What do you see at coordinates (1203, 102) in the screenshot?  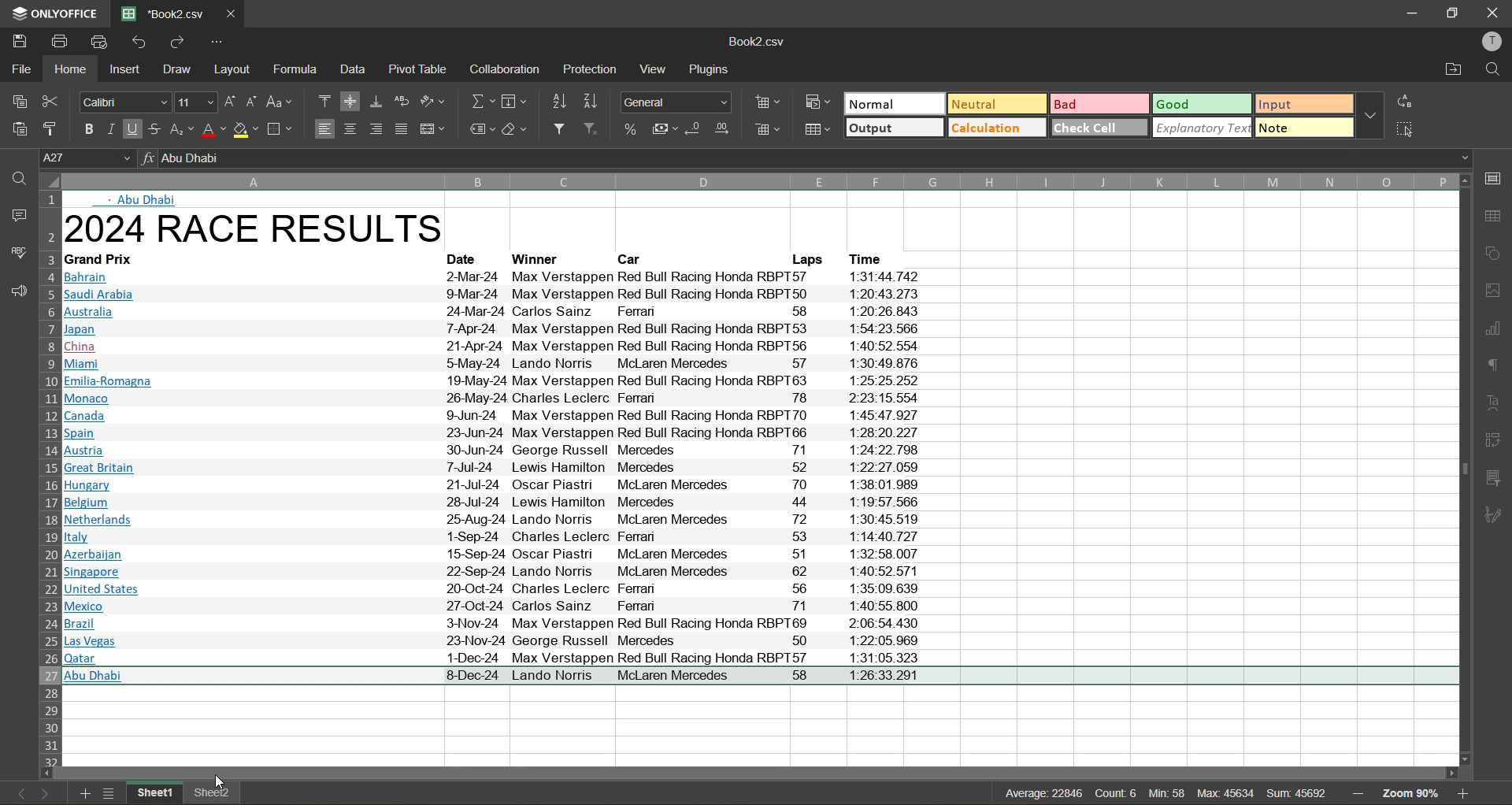 I see `good` at bounding box center [1203, 102].